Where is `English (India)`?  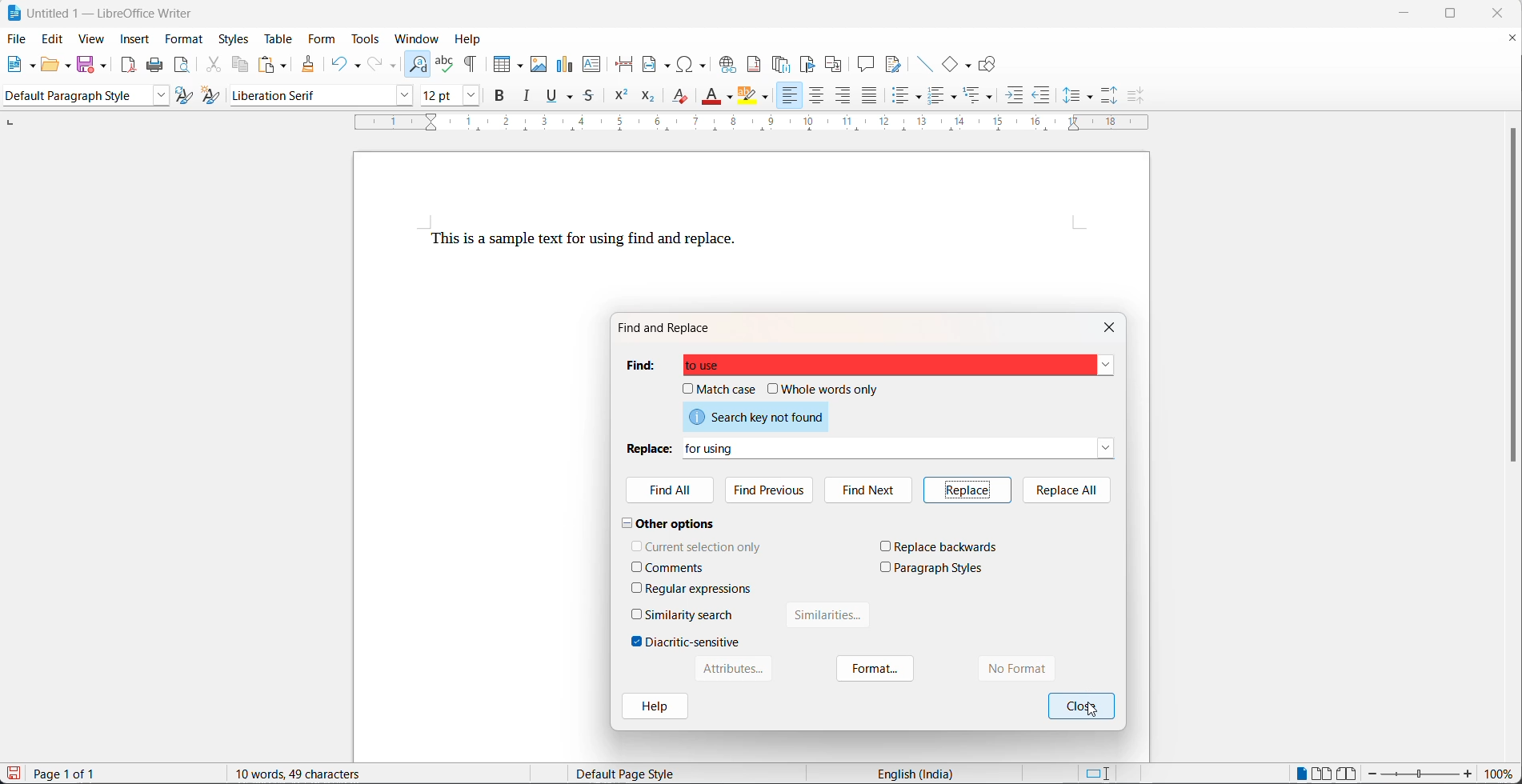
English (India) is located at coordinates (920, 773).